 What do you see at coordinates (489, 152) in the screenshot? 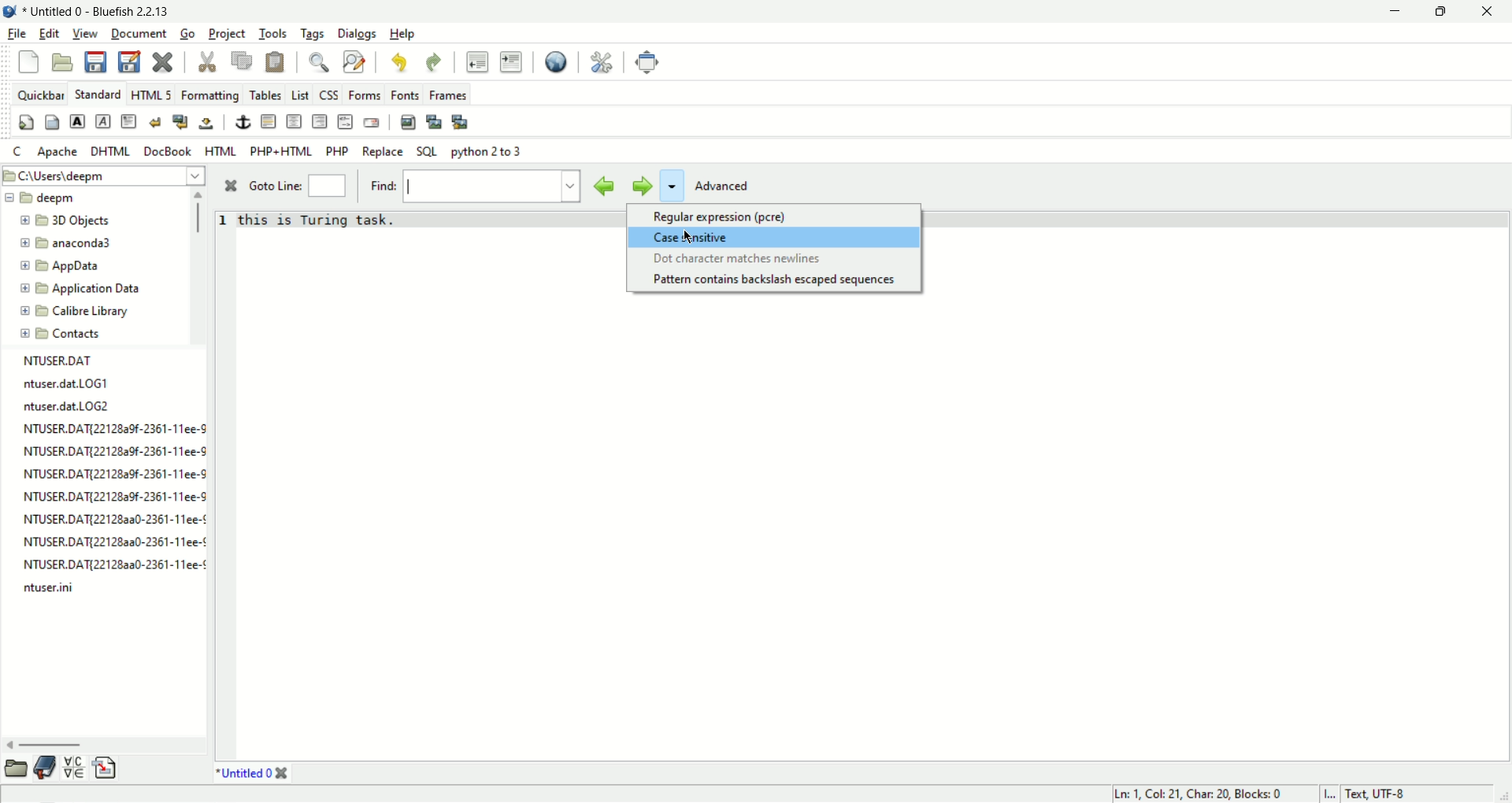
I see `python 2 to 3` at bounding box center [489, 152].